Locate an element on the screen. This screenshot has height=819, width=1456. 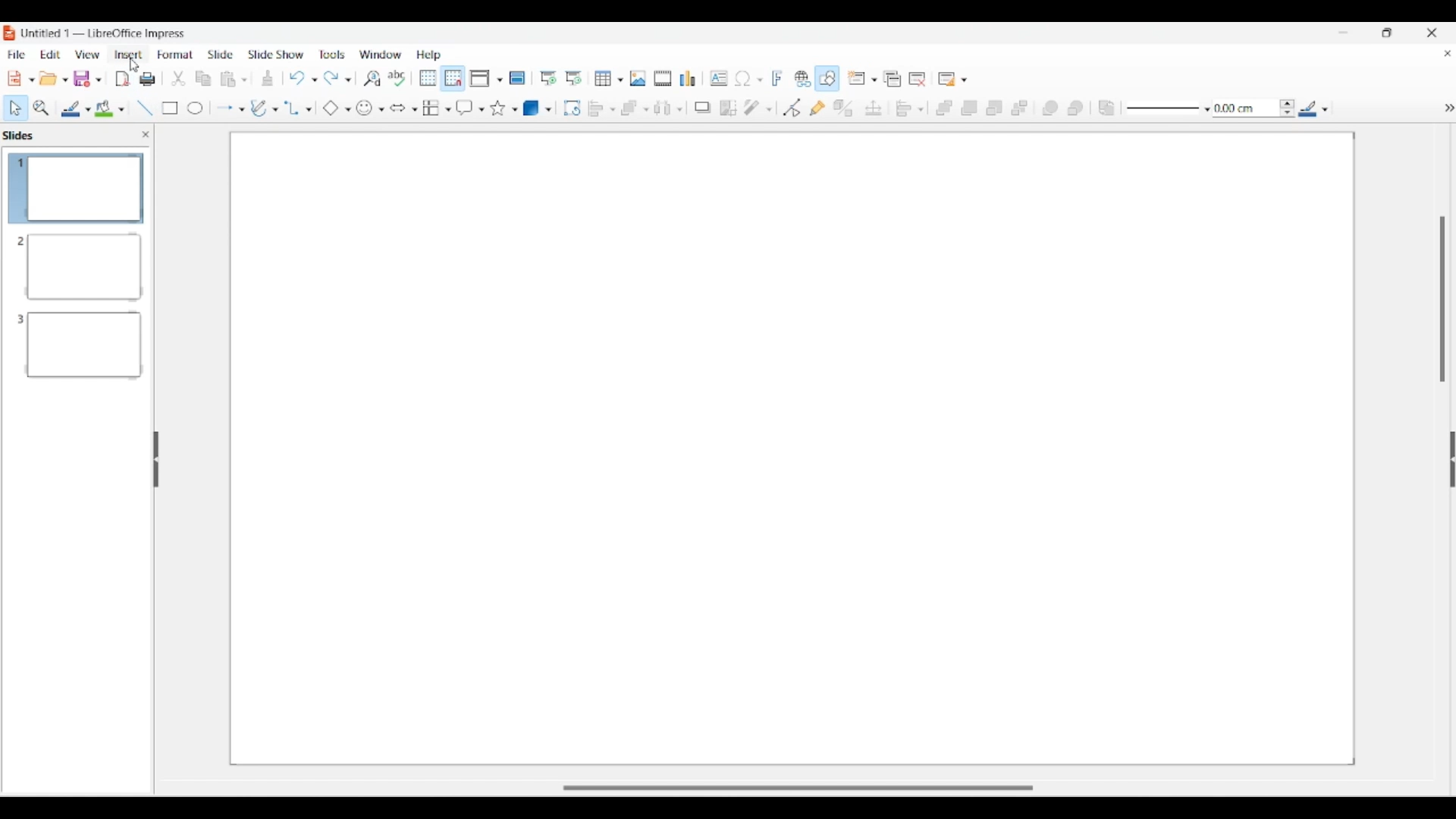
Behind object is located at coordinates (1075, 108).